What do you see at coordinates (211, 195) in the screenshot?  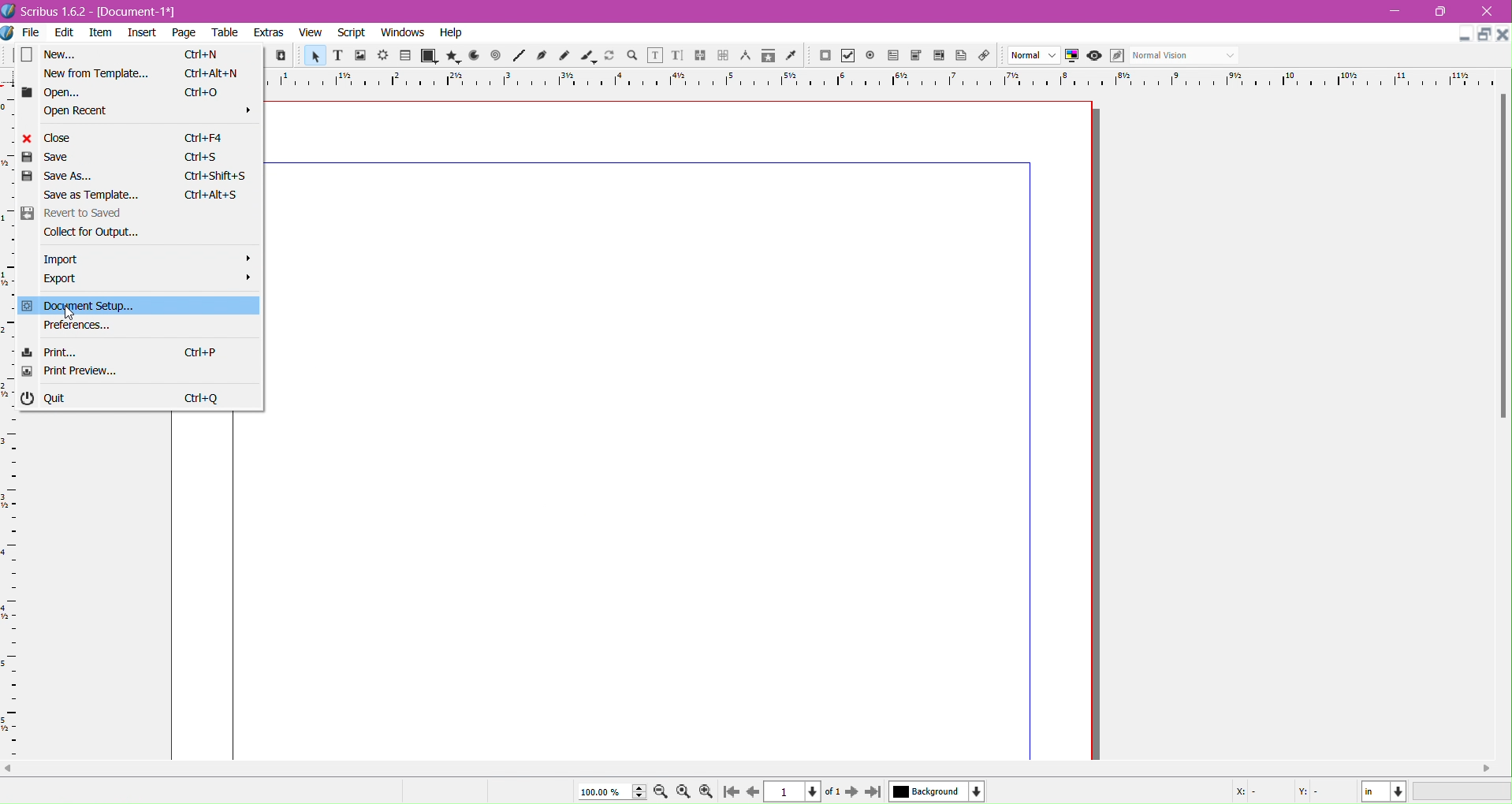 I see `keyboard shortcut` at bounding box center [211, 195].